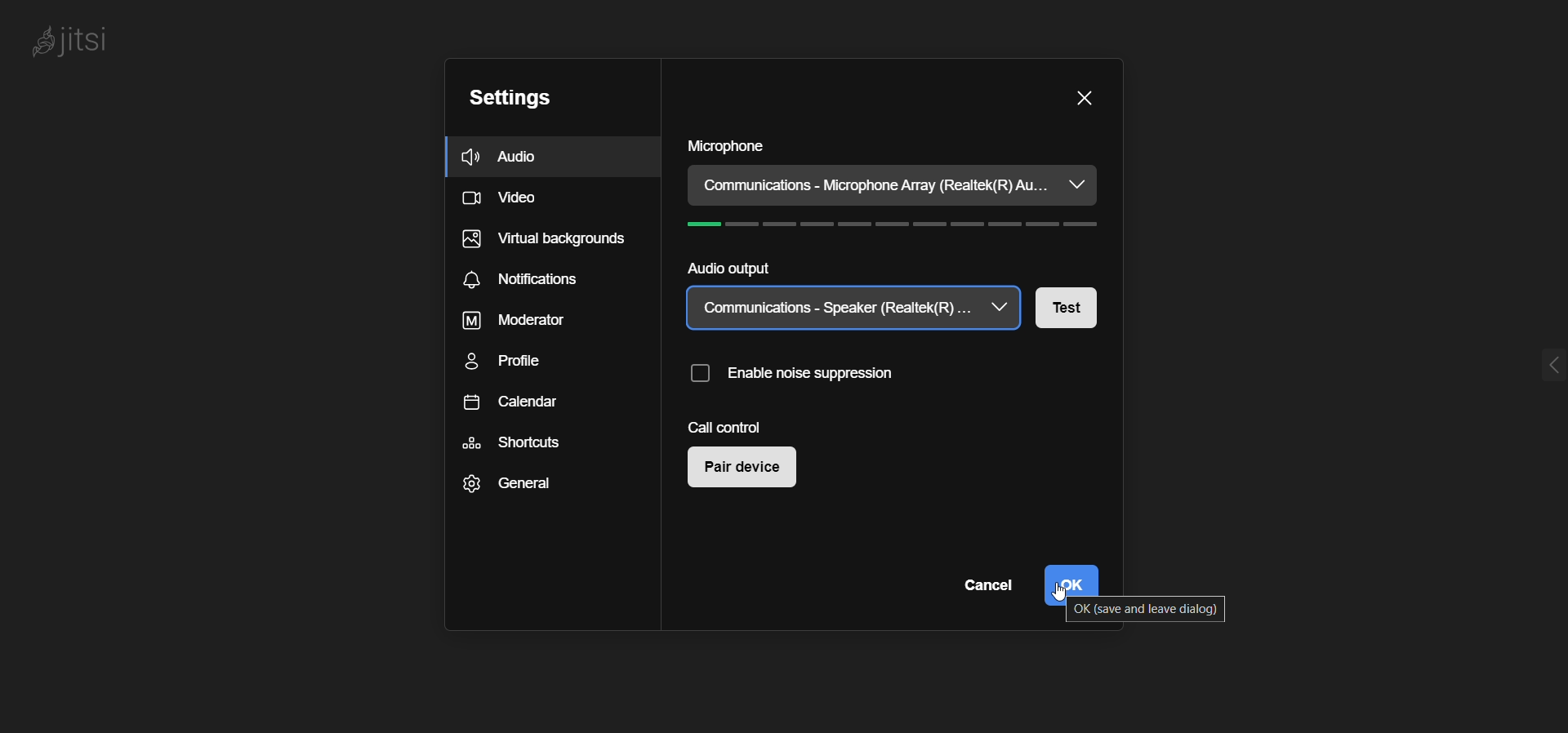  I want to click on current microphone, so click(874, 186).